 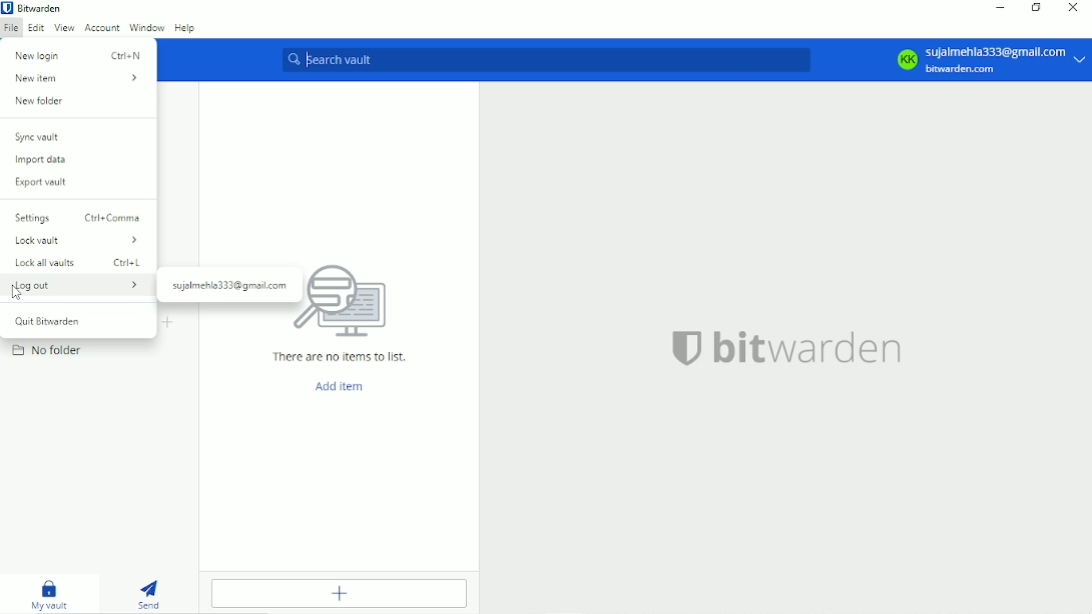 I want to click on logo, so click(x=686, y=348).